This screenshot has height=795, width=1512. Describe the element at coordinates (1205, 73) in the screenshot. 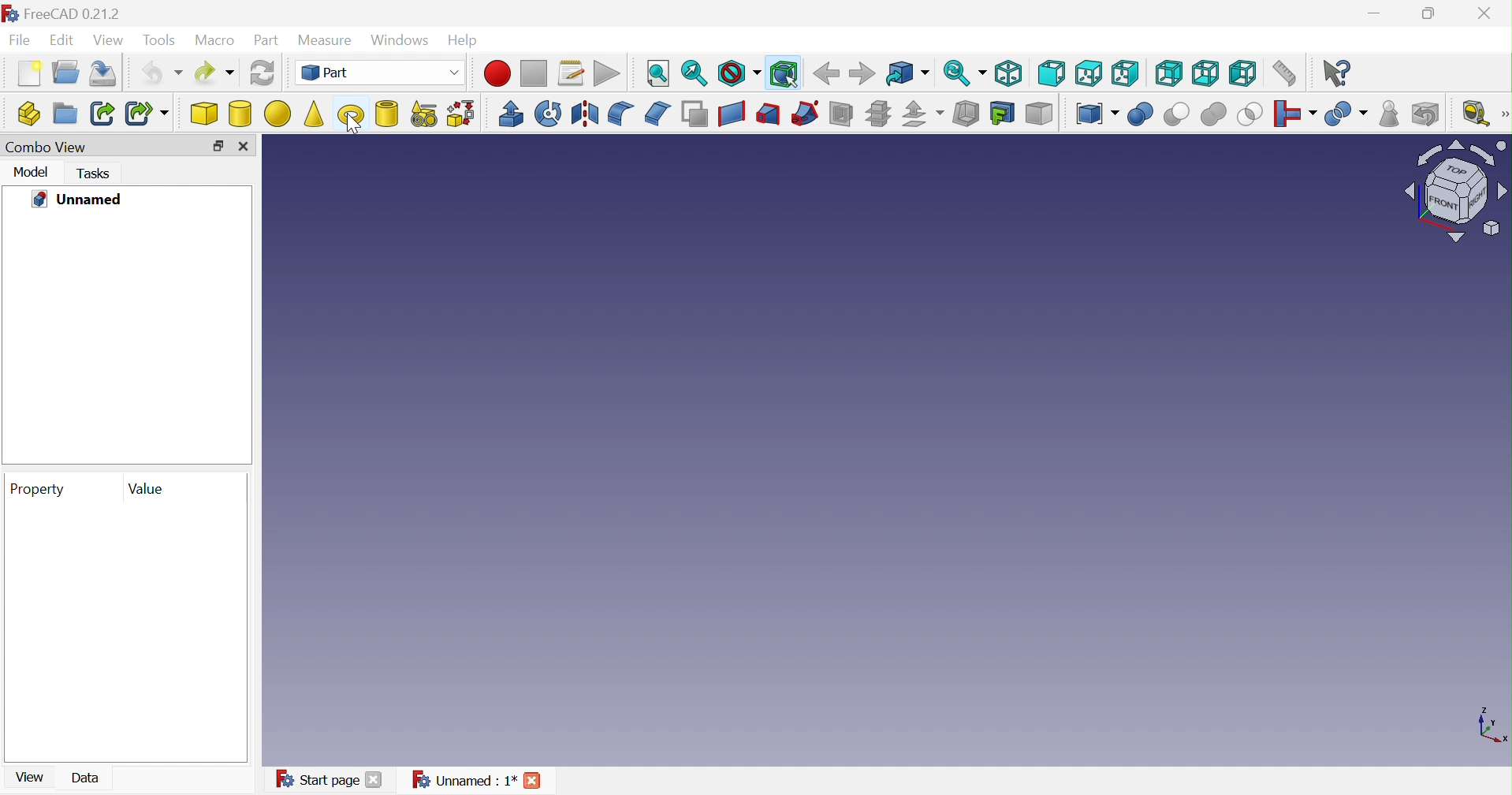

I see `Bottom` at that location.